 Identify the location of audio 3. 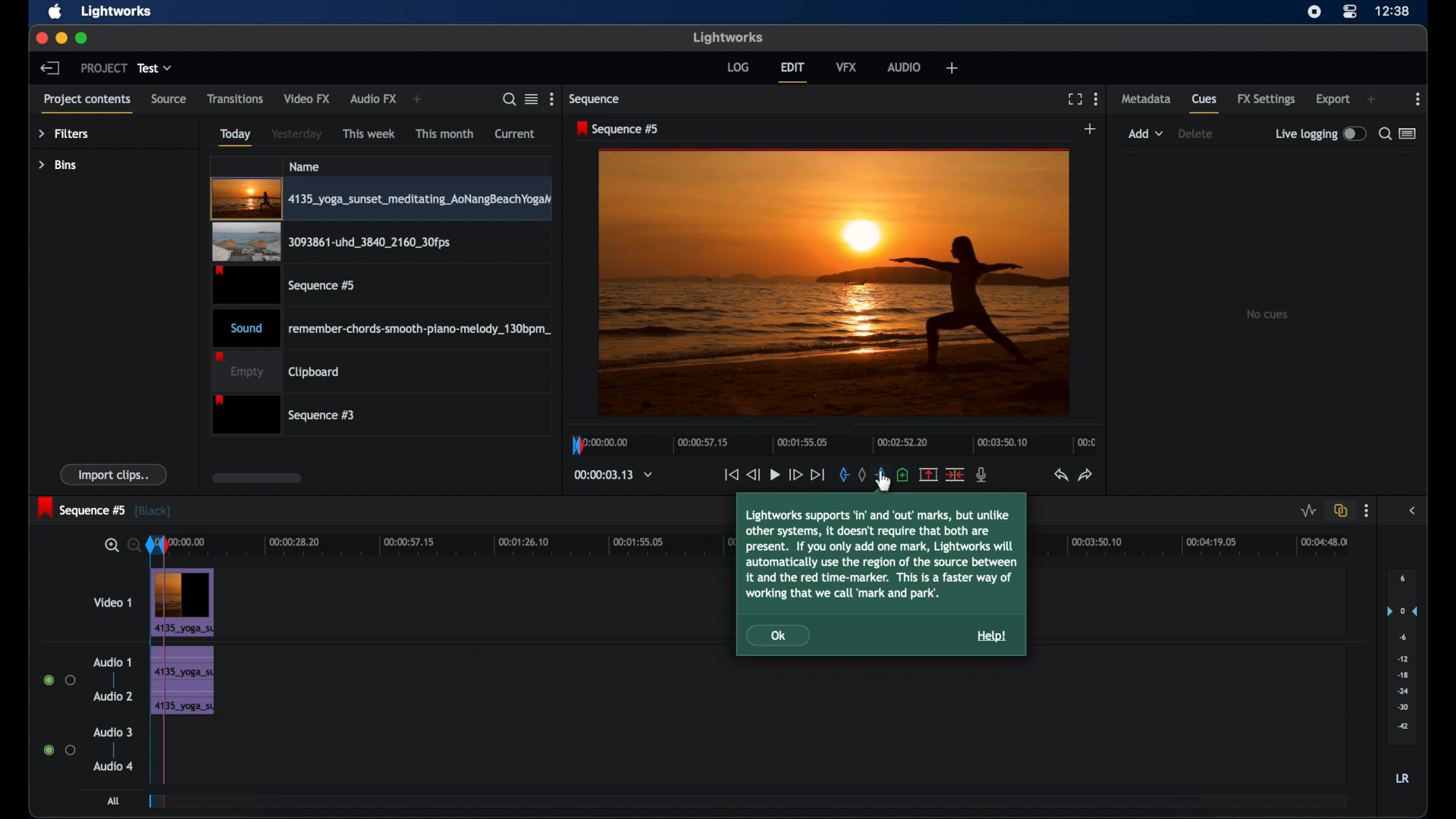
(111, 733).